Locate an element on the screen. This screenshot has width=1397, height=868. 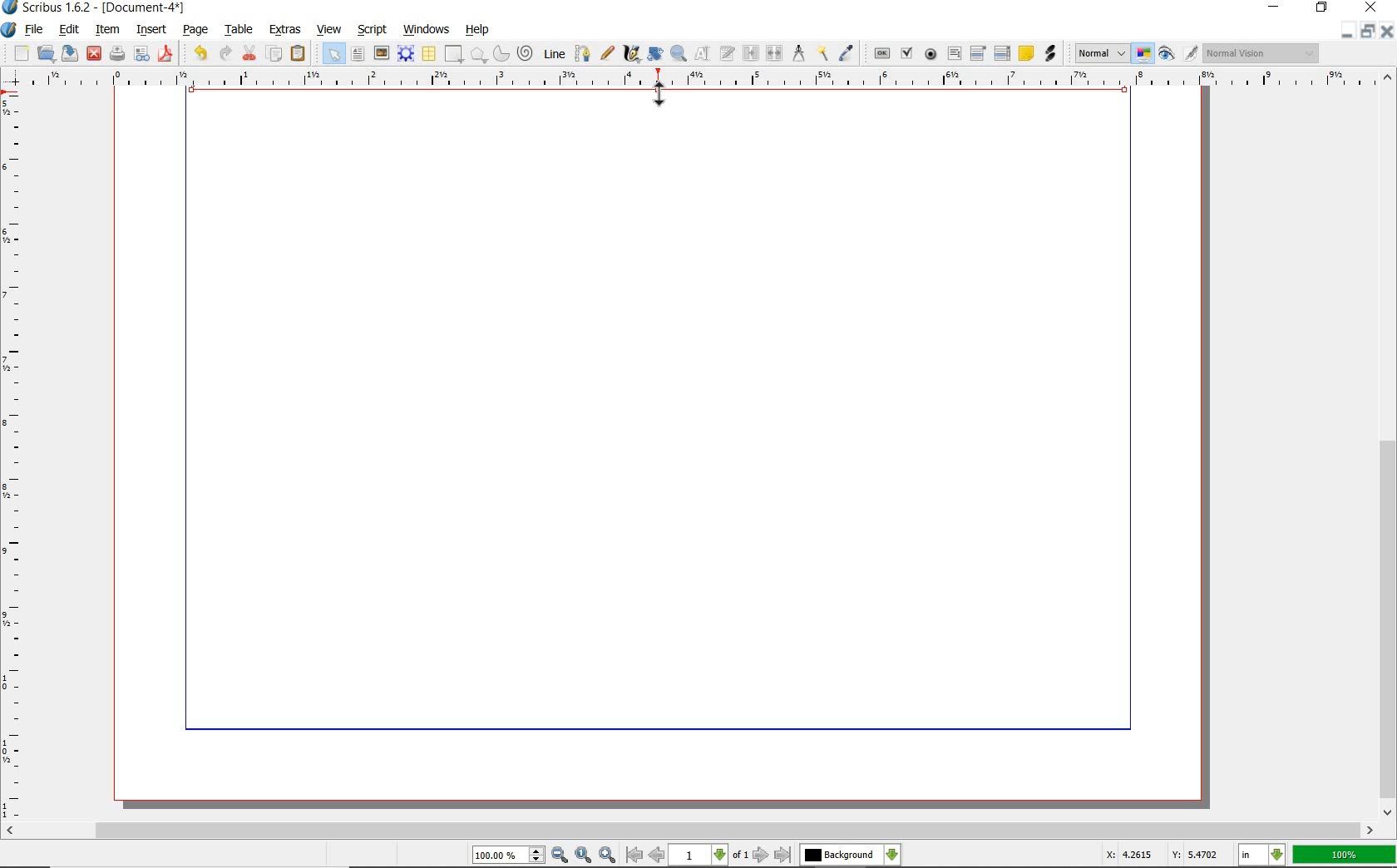
windows is located at coordinates (426, 29).